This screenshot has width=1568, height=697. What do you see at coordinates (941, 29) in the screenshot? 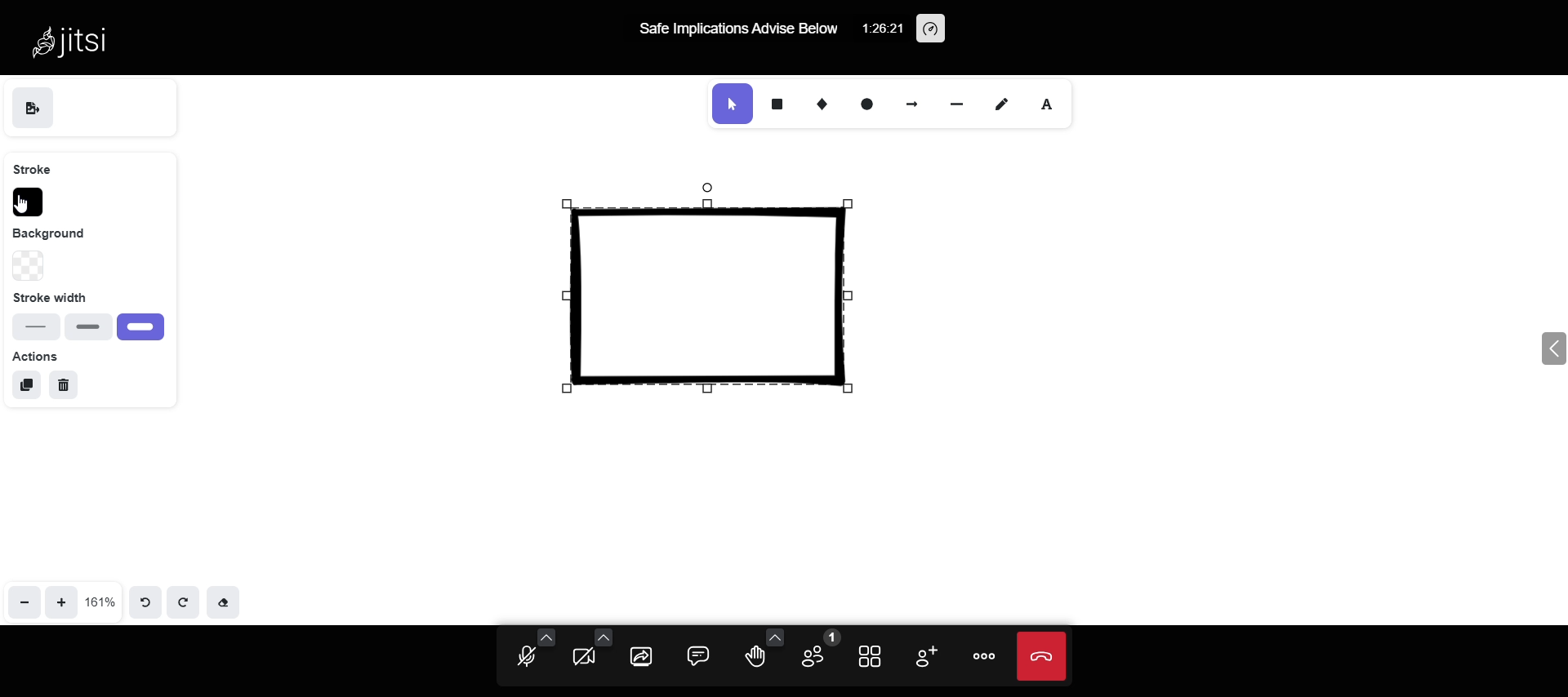
I see `performance setting` at bounding box center [941, 29].